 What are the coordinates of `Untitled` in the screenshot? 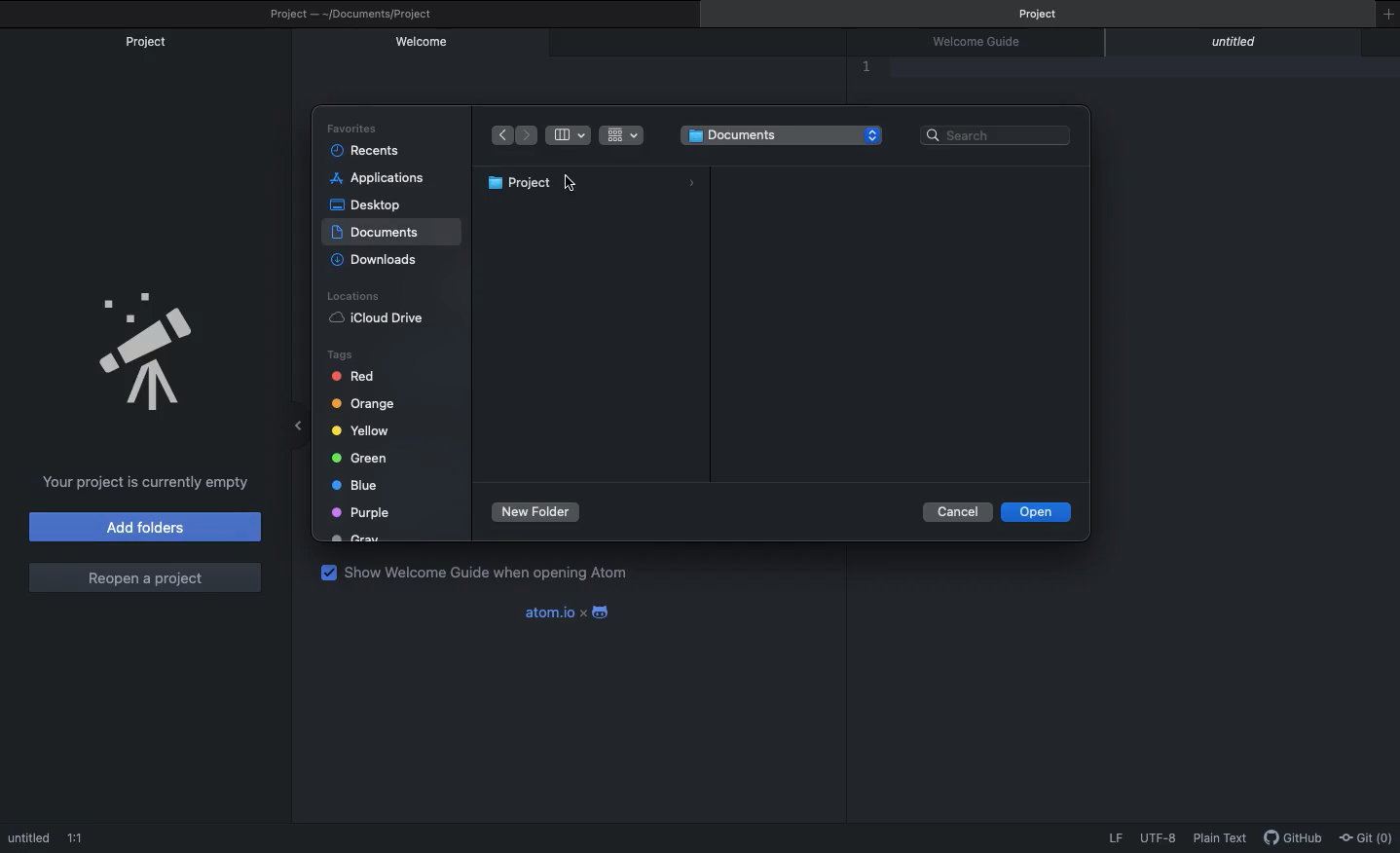 It's located at (29, 836).